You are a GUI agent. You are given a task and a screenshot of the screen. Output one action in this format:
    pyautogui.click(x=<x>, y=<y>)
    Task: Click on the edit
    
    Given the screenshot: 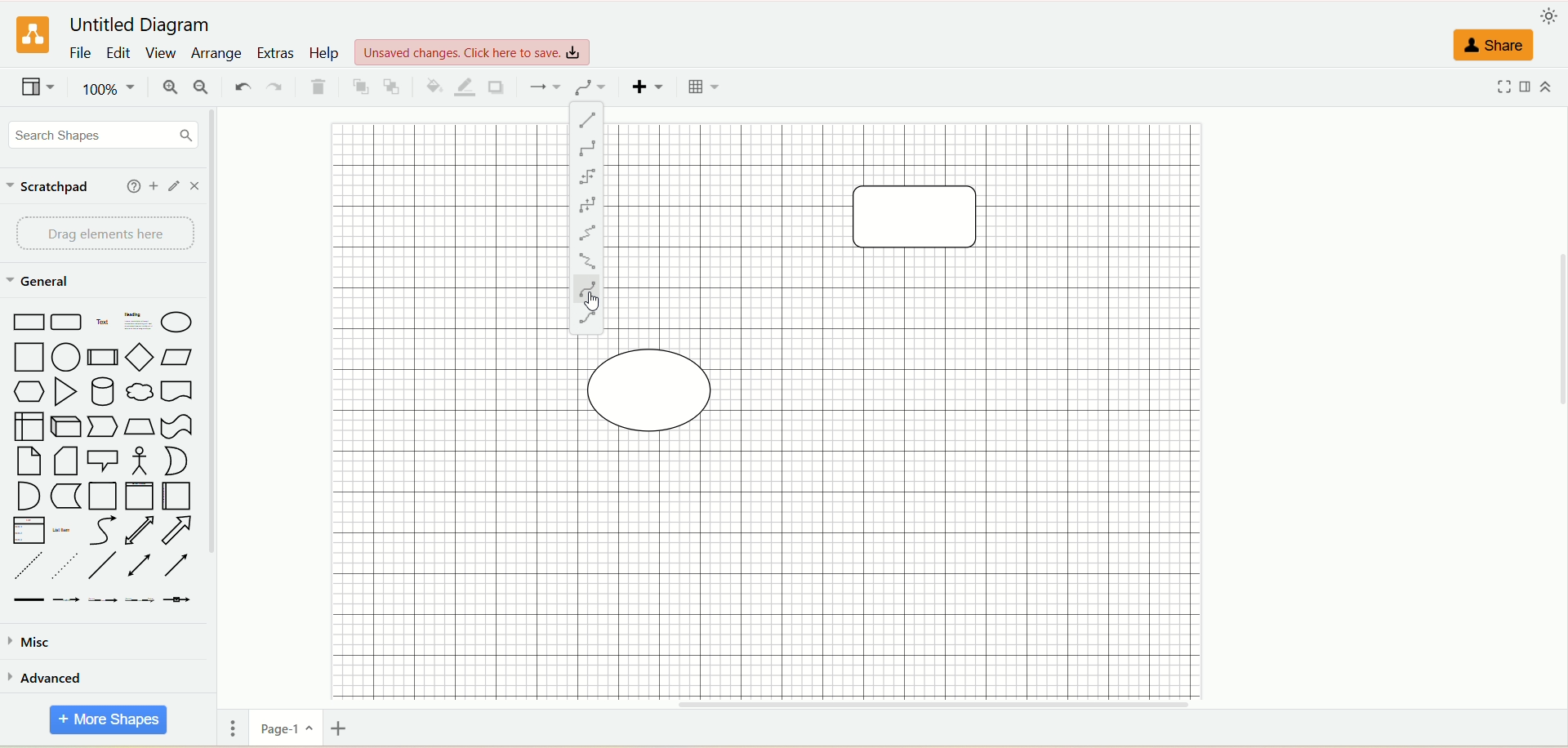 What is the action you would take?
    pyautogui.click(x=175, y=185)
    